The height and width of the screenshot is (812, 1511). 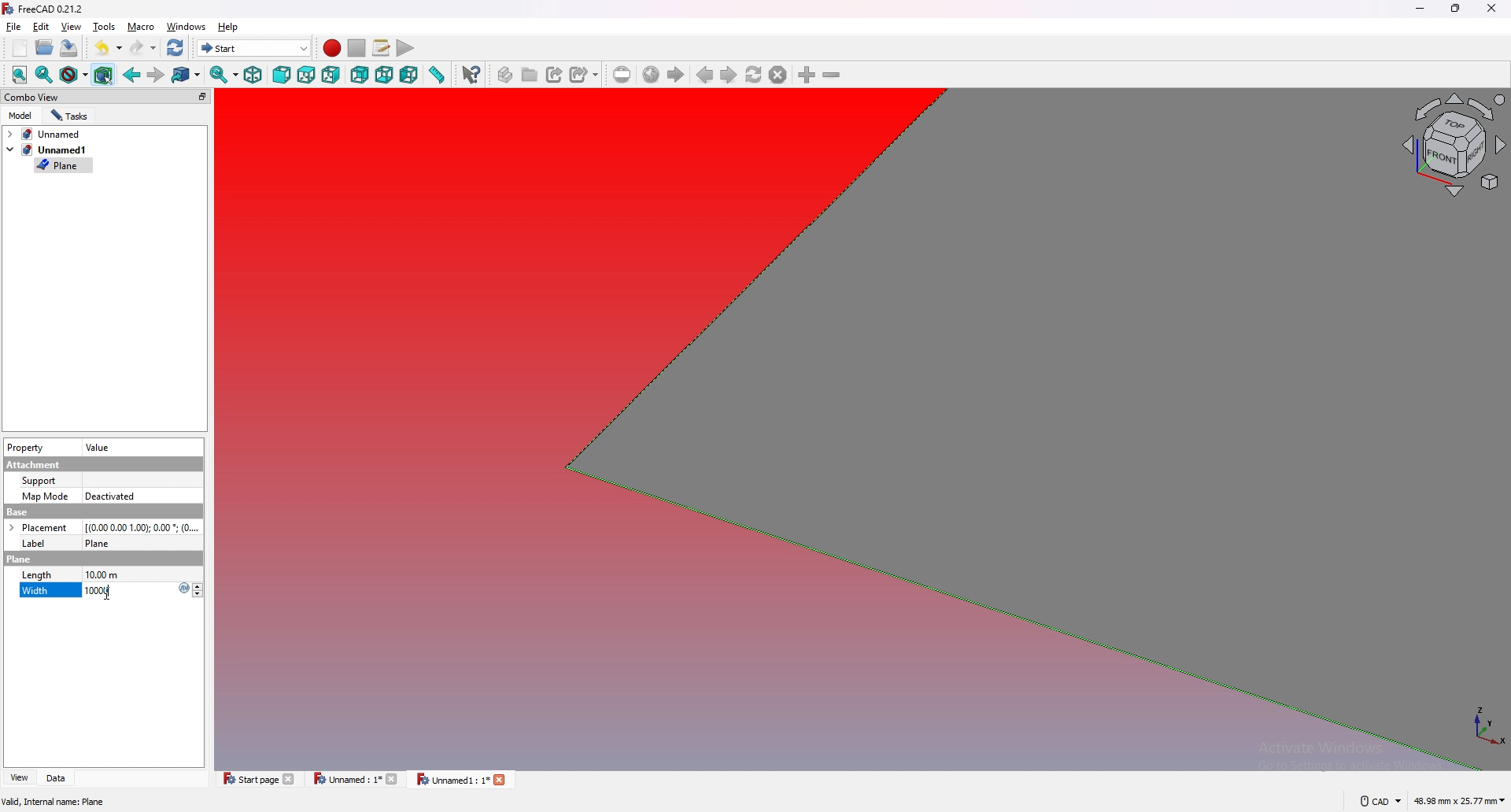 What do you see at coordinates (531, 74) in the screenshot?
I see `create group` at bounding box center [531, 74].